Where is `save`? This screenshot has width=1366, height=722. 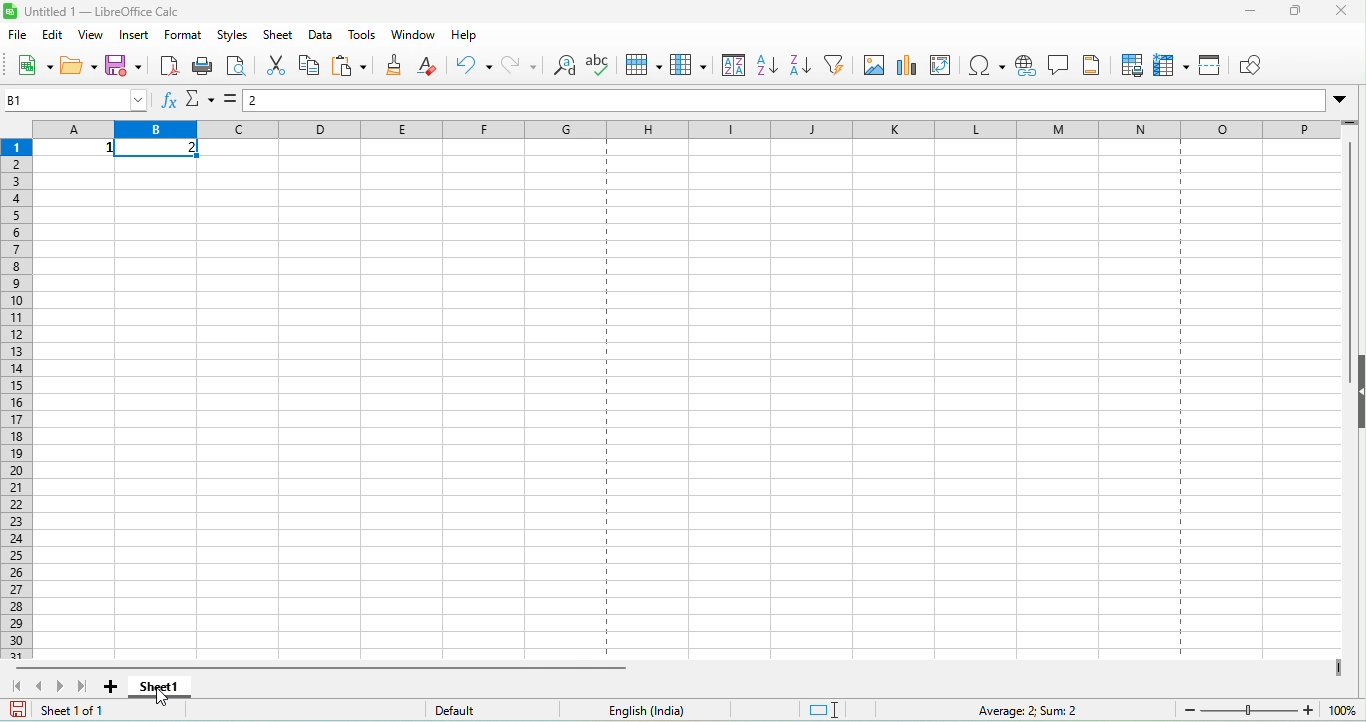 save is located at coordinates (126, 66).